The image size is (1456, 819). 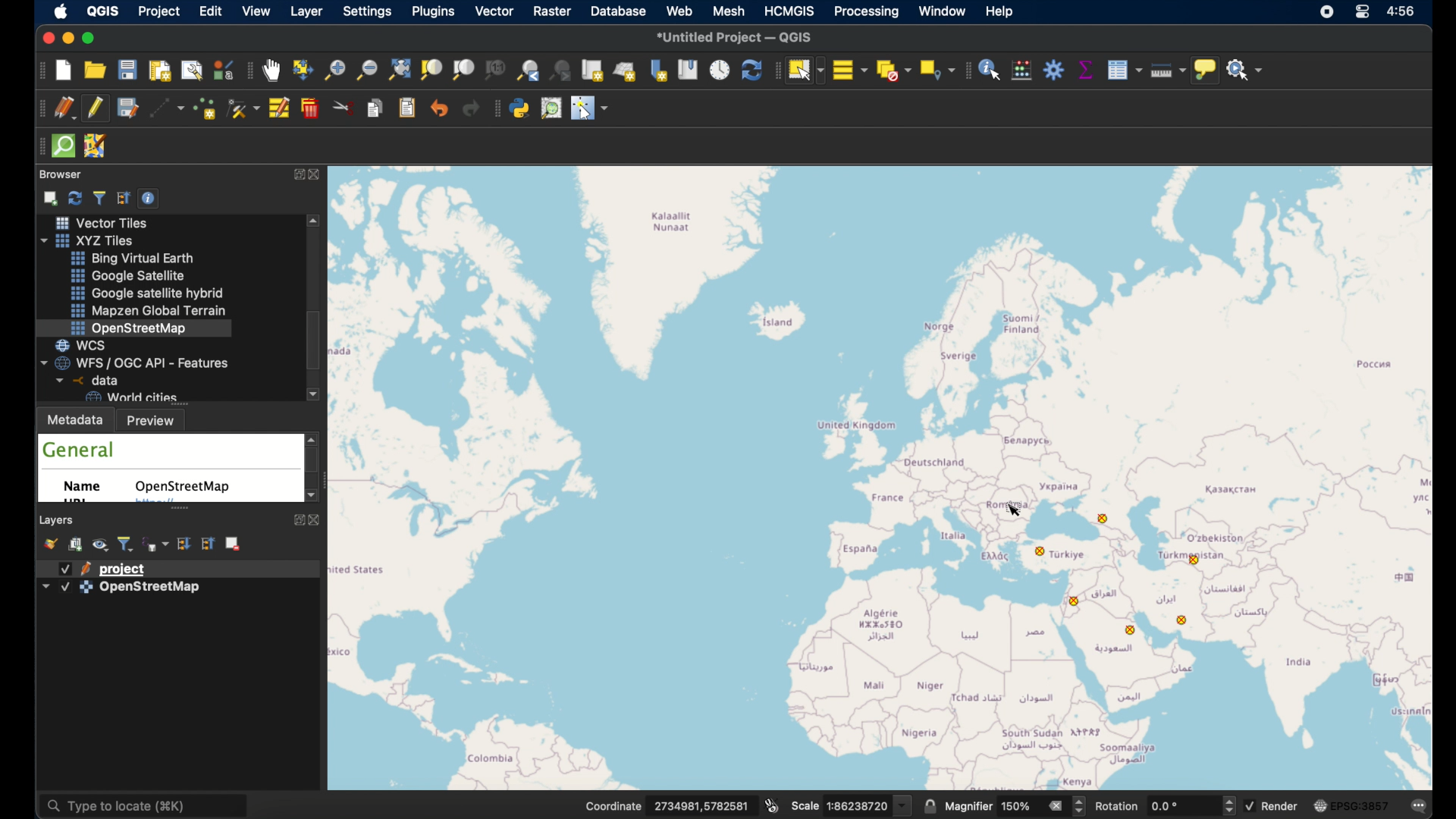 What do you see at coordinates (1079, 601) in the screenshot?
I see `point feature` at bounding box center [1079, 601].